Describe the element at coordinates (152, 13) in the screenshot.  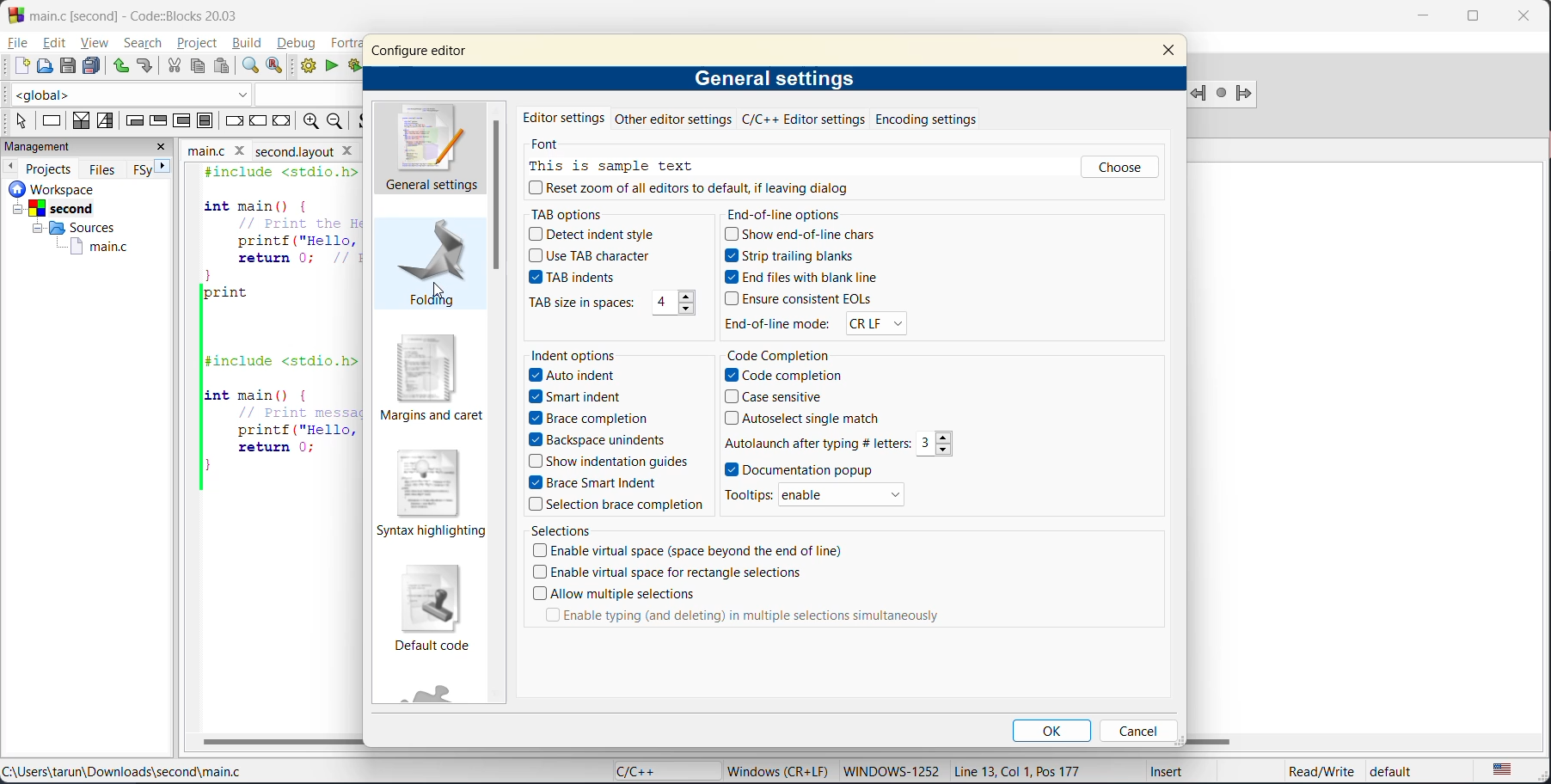
I see `app name and file name` at that location.